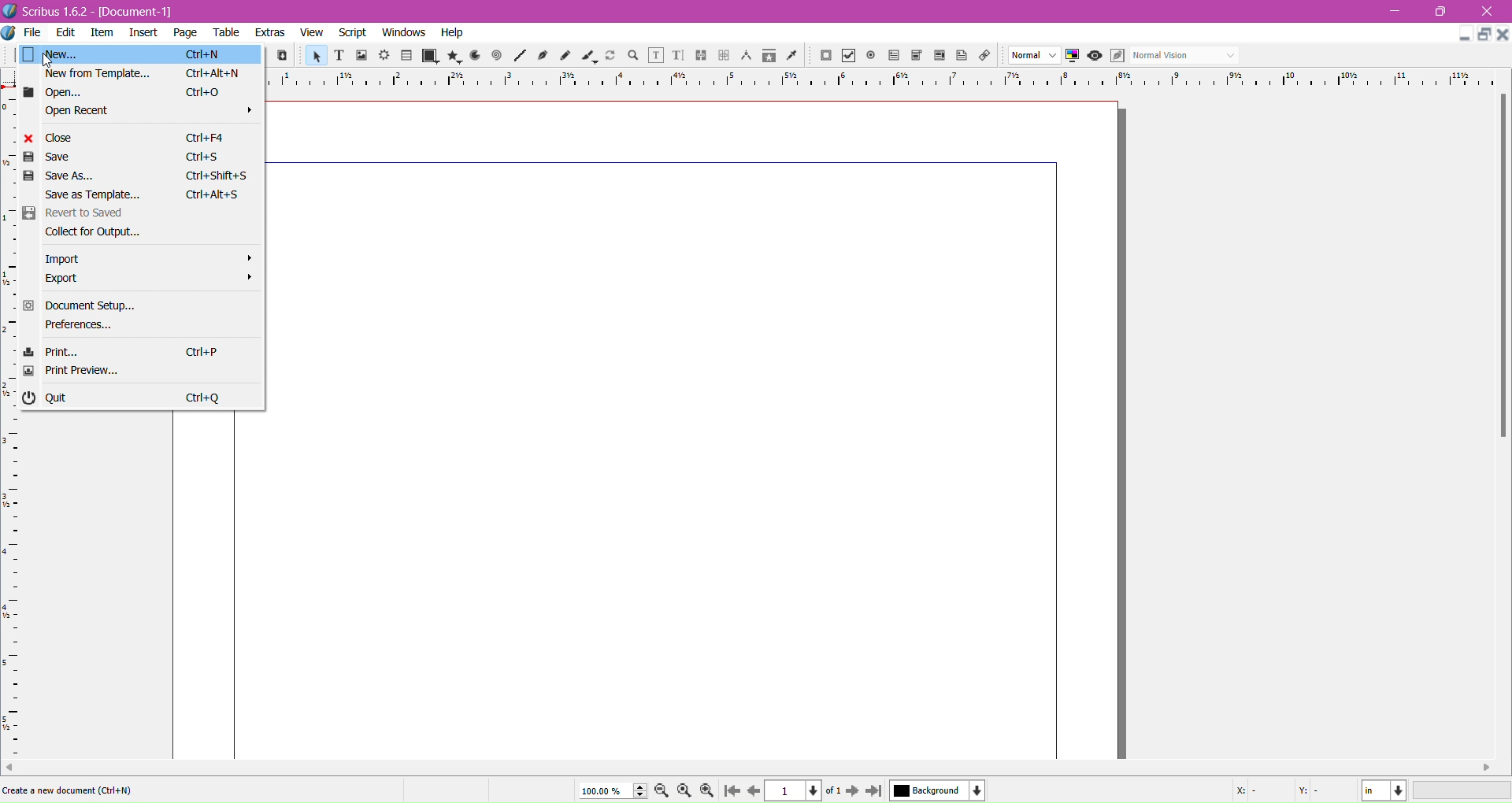  Describe the element at coordinates (119, 12) in the screenshot. I see `scribus 1.6.2 document -1` at that location.